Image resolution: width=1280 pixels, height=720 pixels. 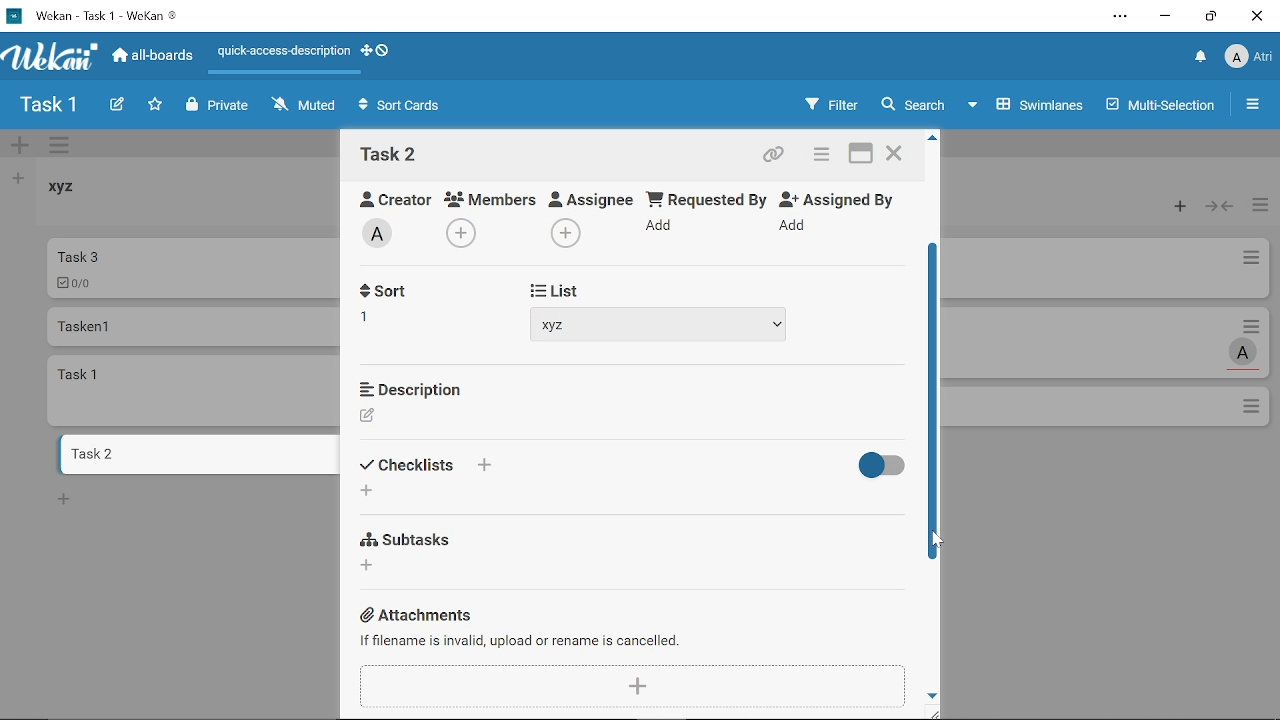 What do you see at coordinates (383, 50) in the screenshot?
I see `Show desktop drag handlws` at bounding box center [383, 50].